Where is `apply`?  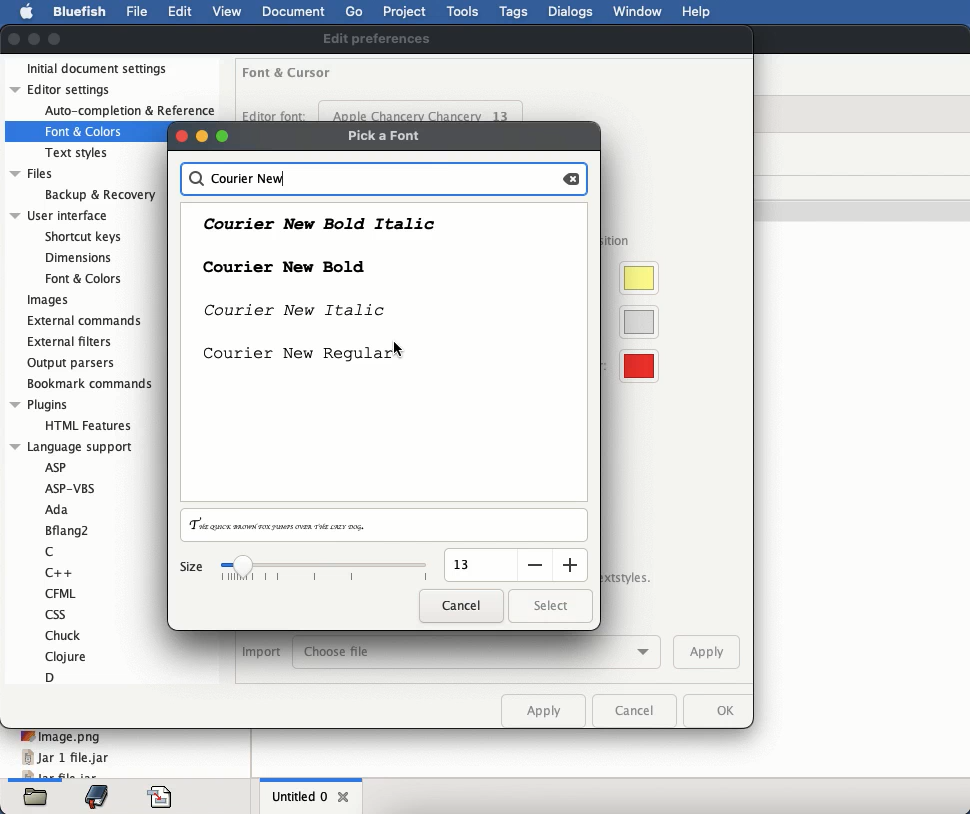 apply is located at coordinates (701, 650).